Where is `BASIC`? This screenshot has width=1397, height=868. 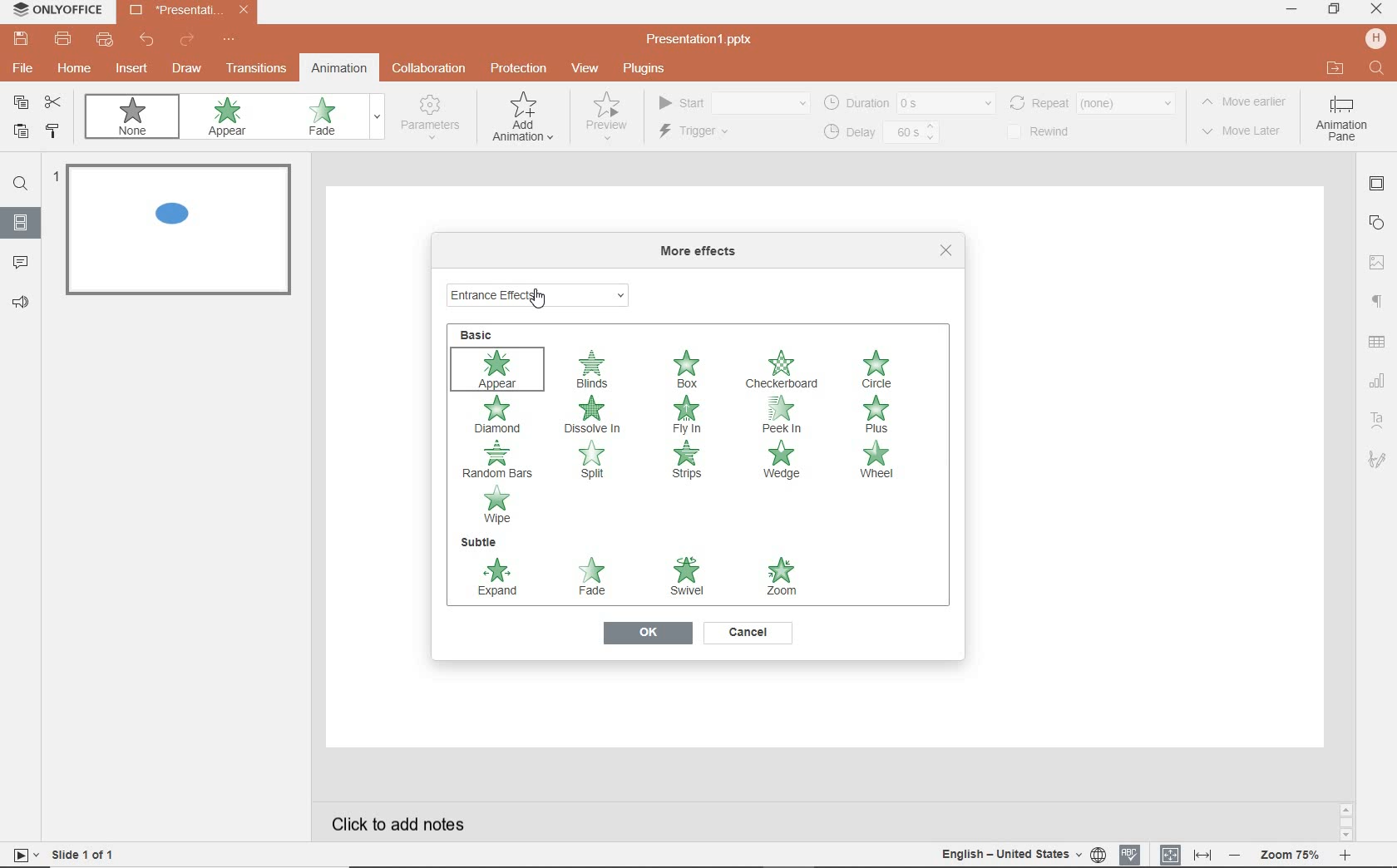
BASIC is located at coordinates (484, 333).